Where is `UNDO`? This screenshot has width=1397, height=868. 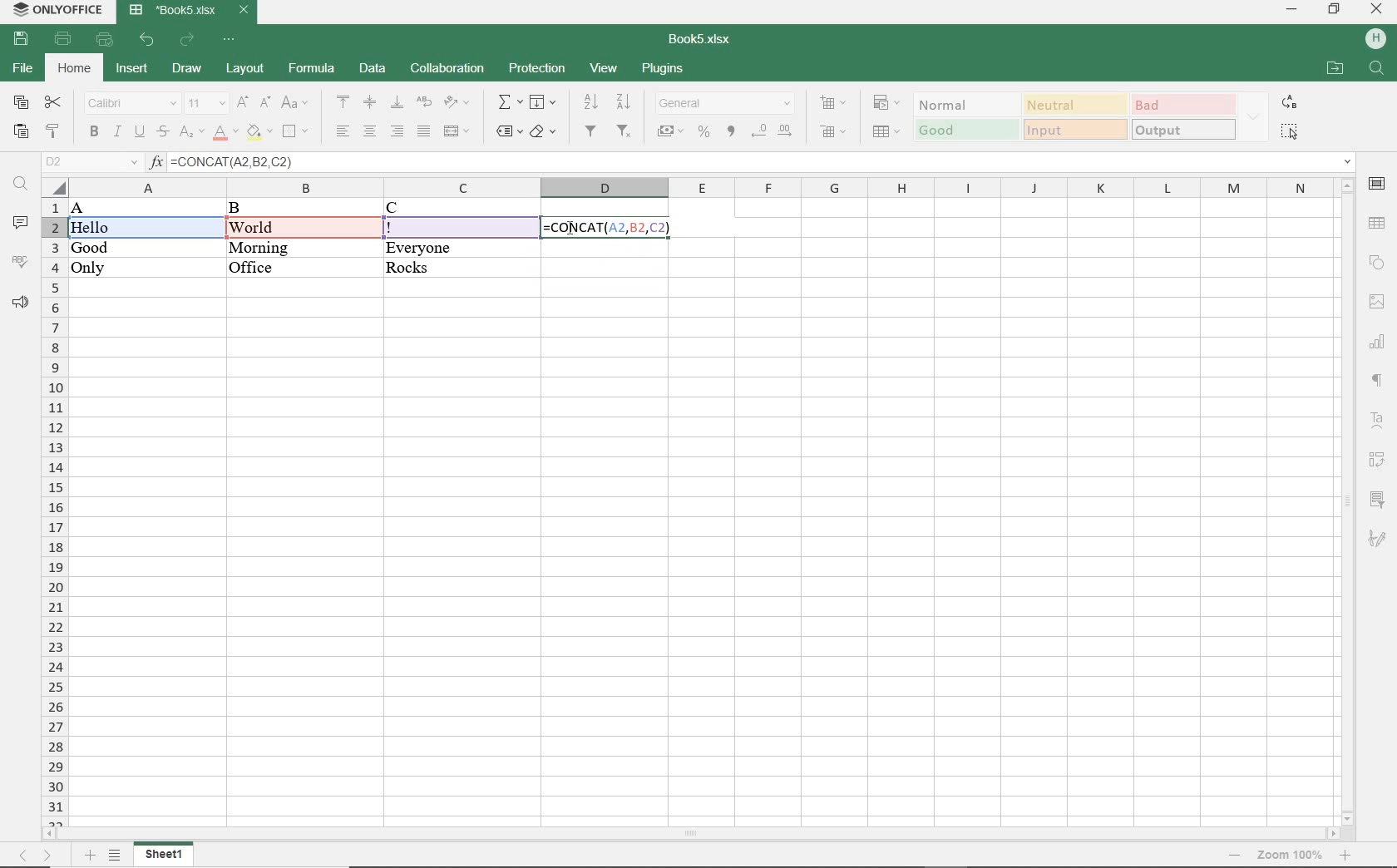
UNDO is located at coordinates (146, 39).